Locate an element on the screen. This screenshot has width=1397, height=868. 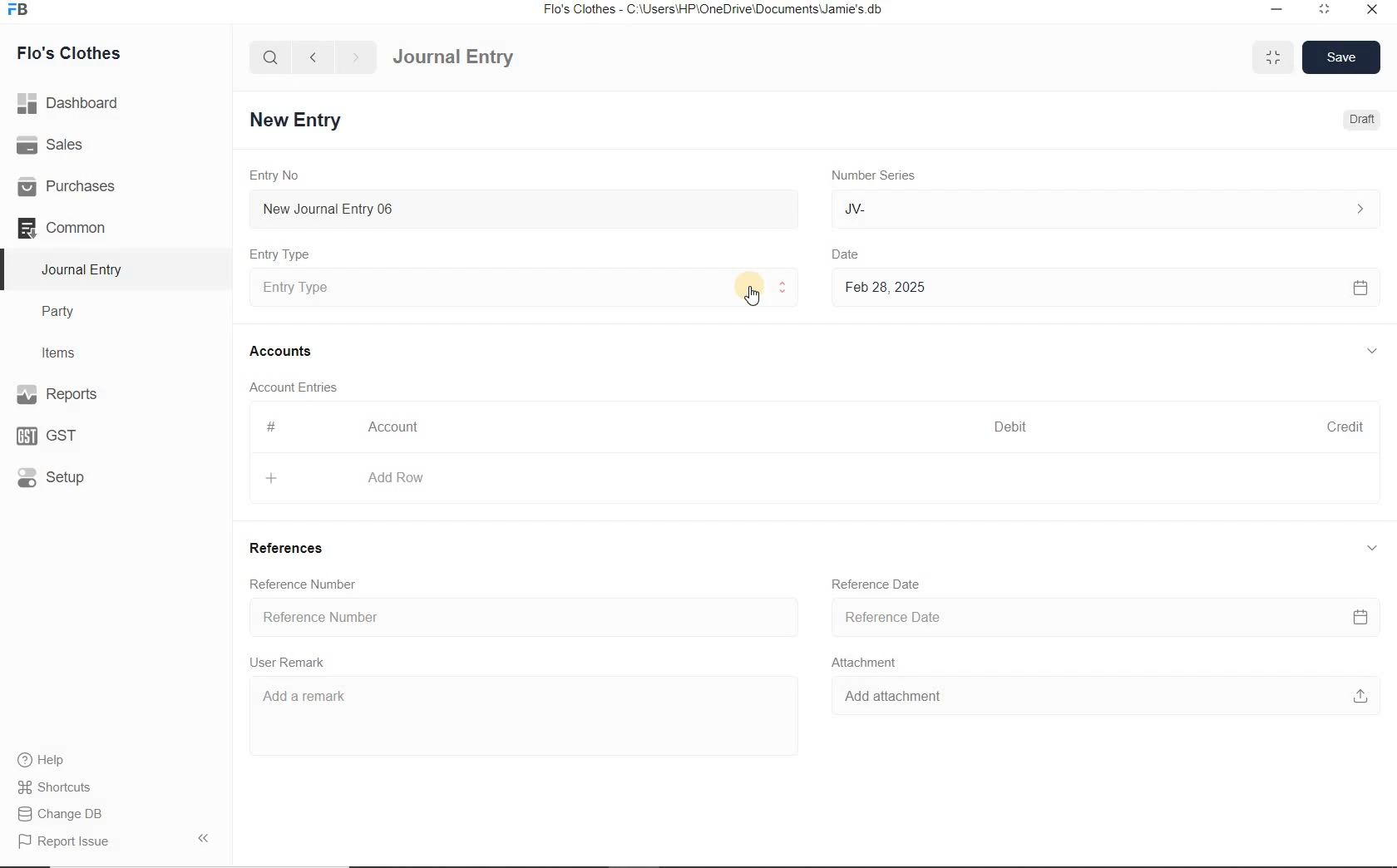
Attachment is located at coordinates (869, 661).